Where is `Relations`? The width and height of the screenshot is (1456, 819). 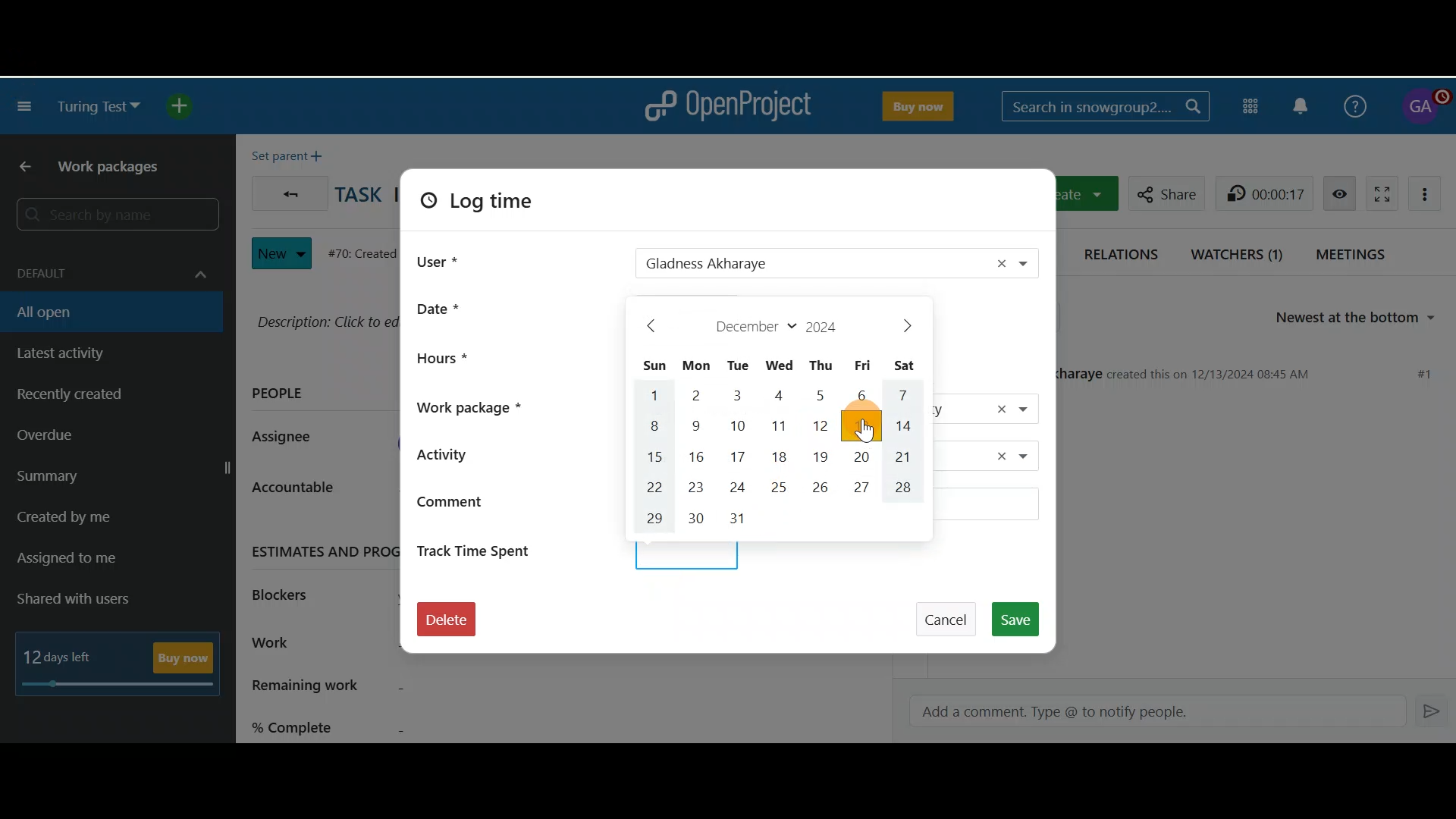 Relations is located at coordinates (1125, 252).